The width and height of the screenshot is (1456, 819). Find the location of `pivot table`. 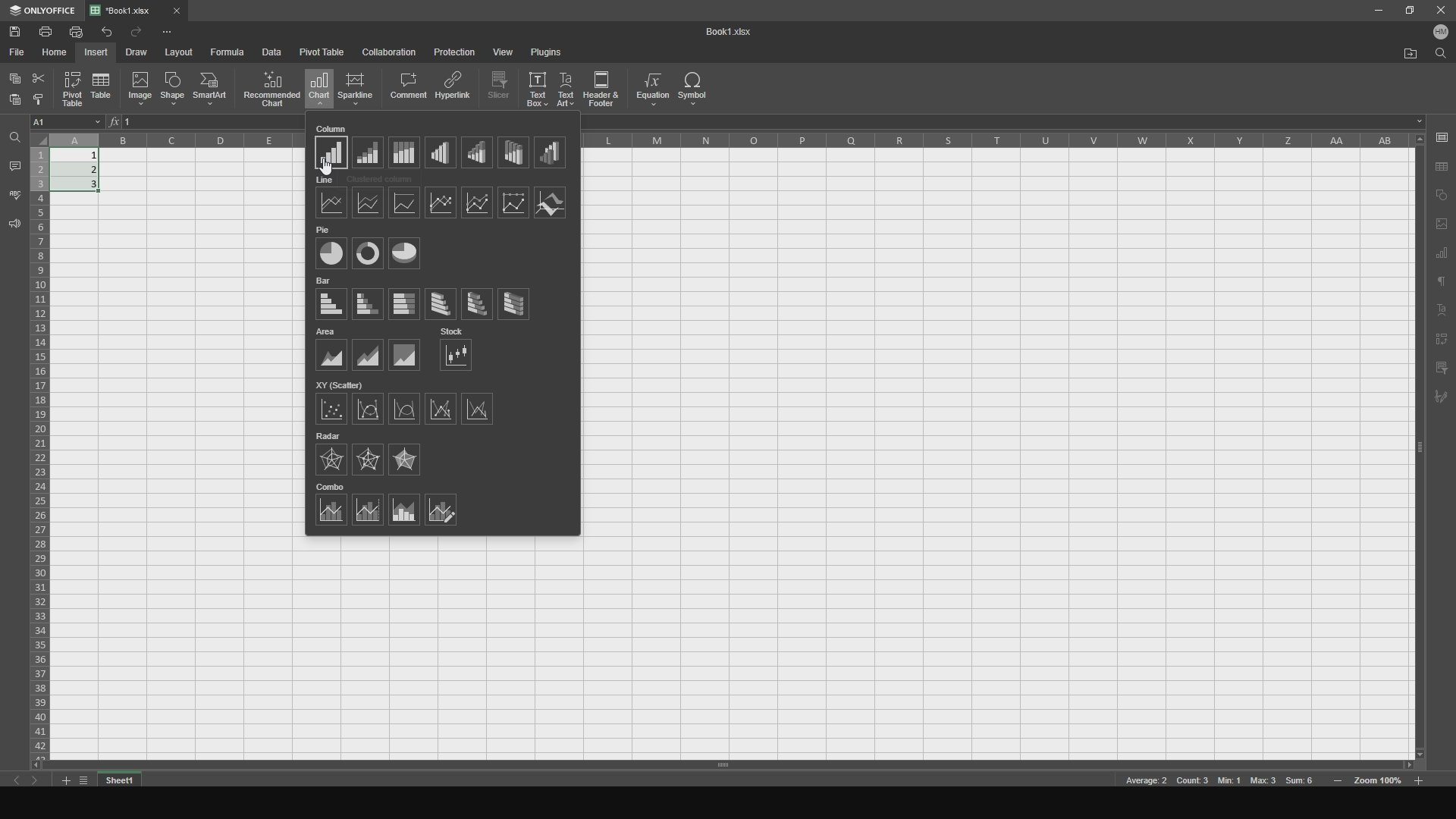

pivot table is located at coordinates (324, 52).